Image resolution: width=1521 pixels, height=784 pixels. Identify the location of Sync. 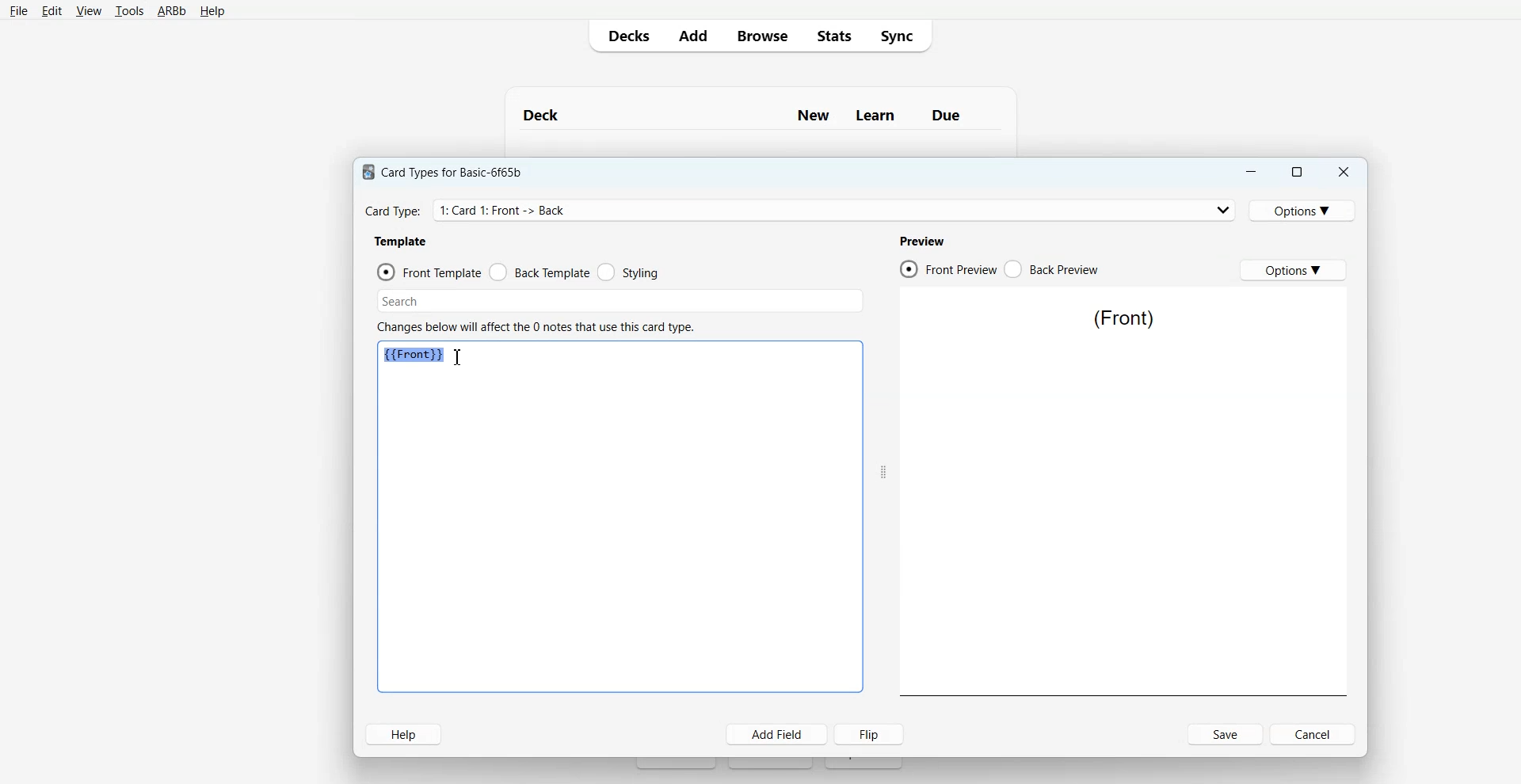
(902, 36).